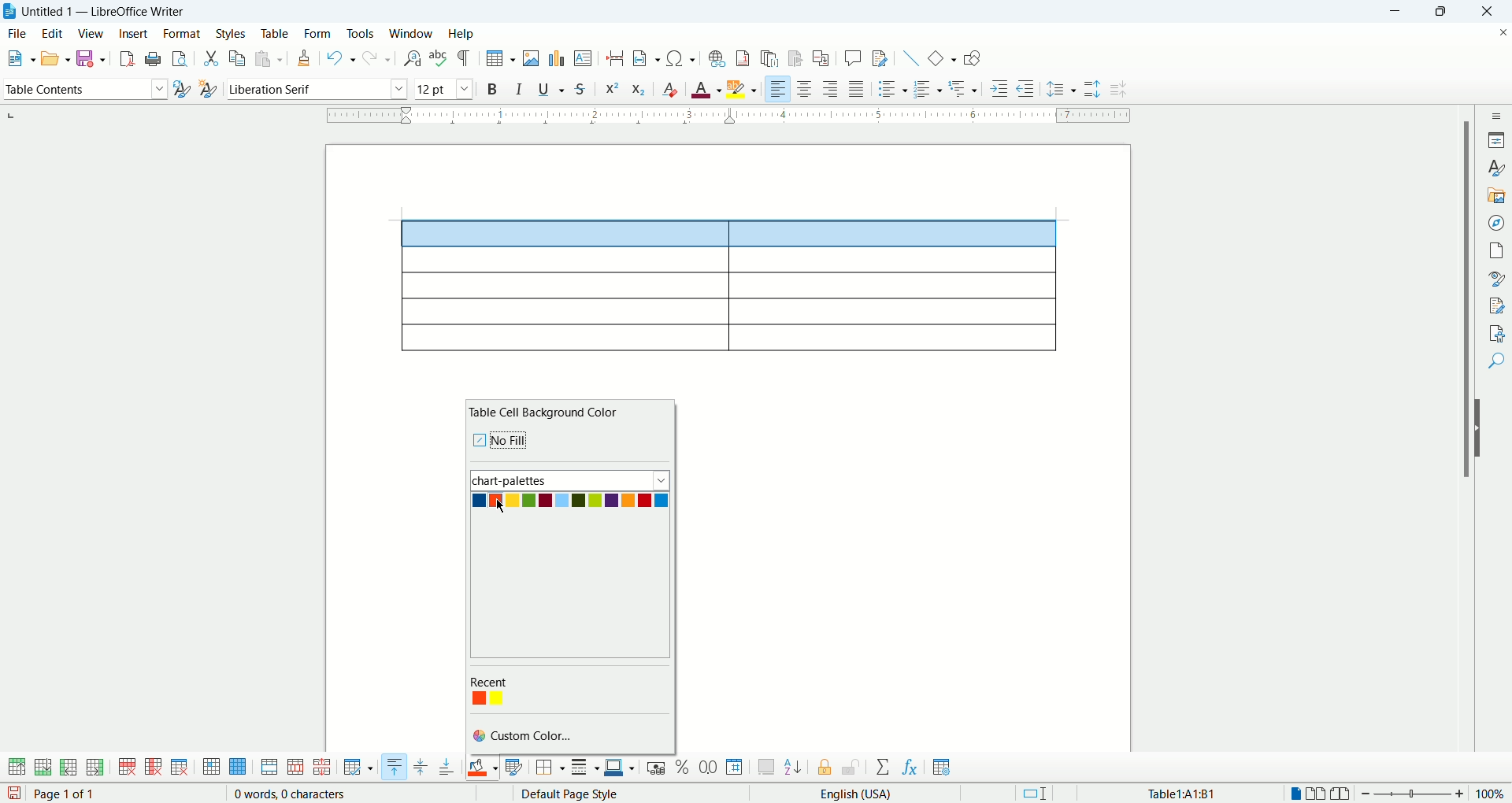 The image size is (1512, 803). I want to click on single page view, so click(1294, 794).